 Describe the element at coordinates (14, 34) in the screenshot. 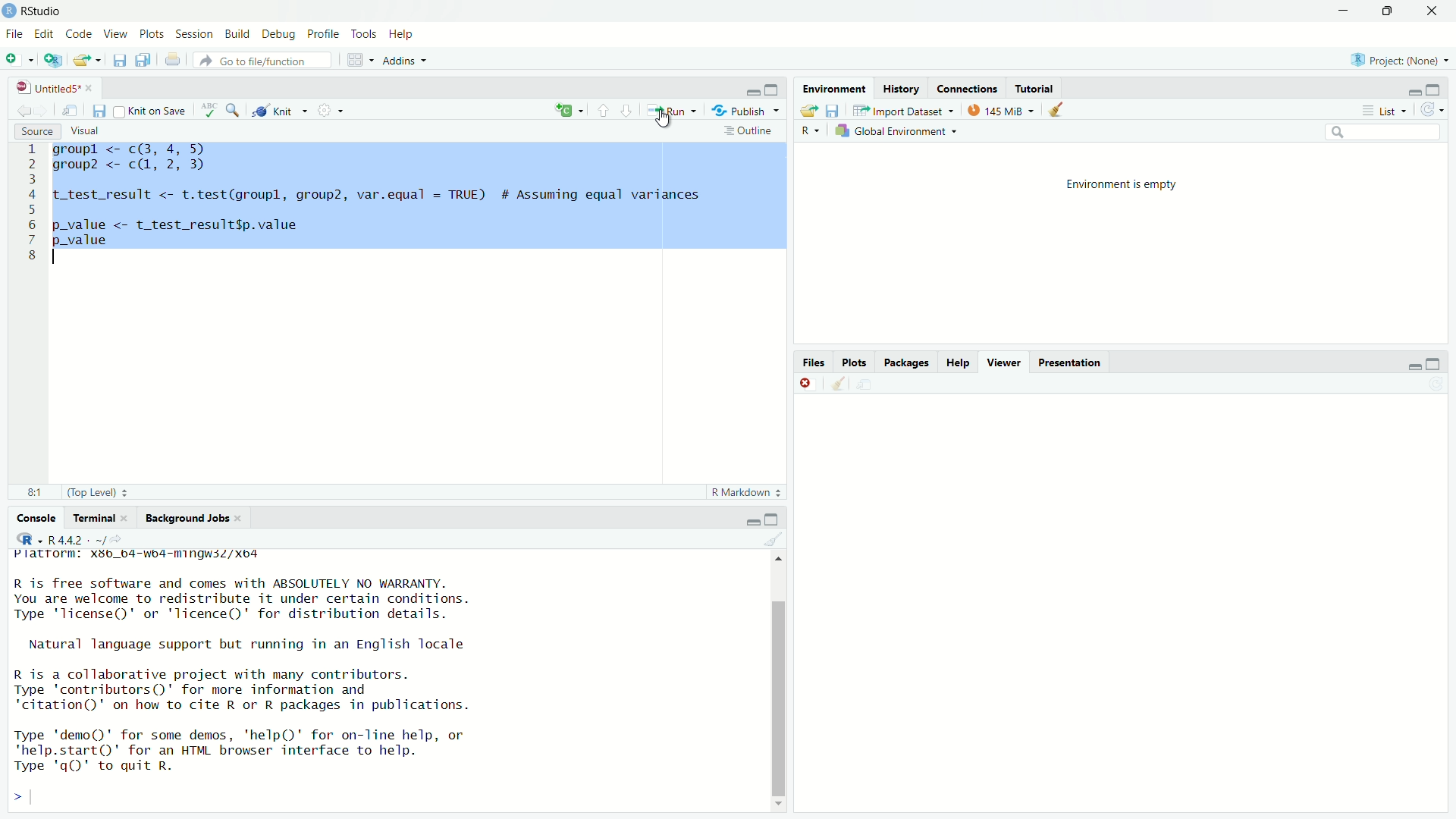

I see `File` at that location.